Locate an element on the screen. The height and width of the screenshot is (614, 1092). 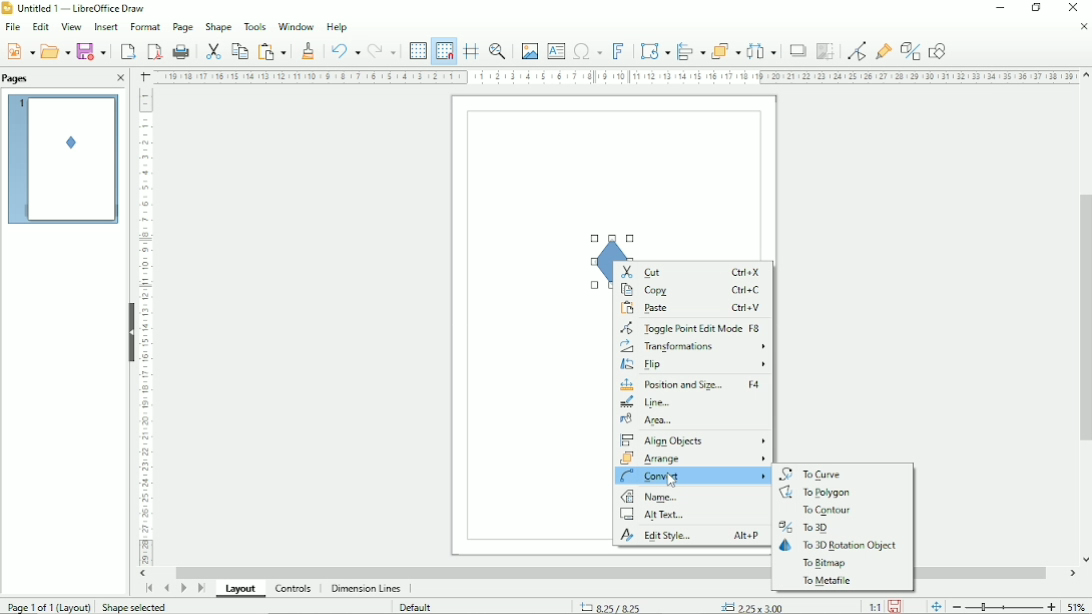
Page 1 of 1 (Layout) is located at coordinates (47, 605).